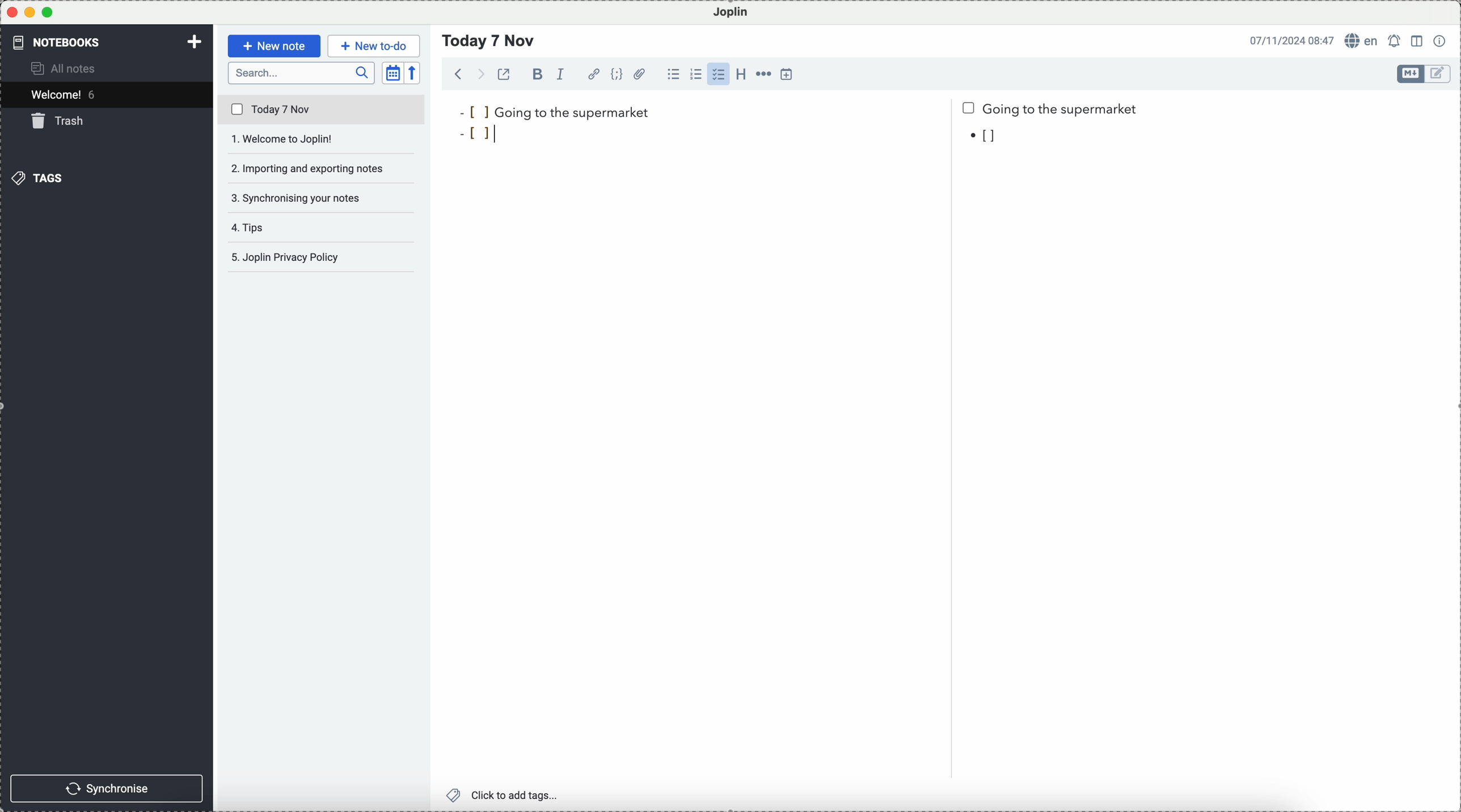 This screenshot has width=1461, height=812. Describe the element at coordinates (253, 227) in the screenshot. I see `tips` at that location.